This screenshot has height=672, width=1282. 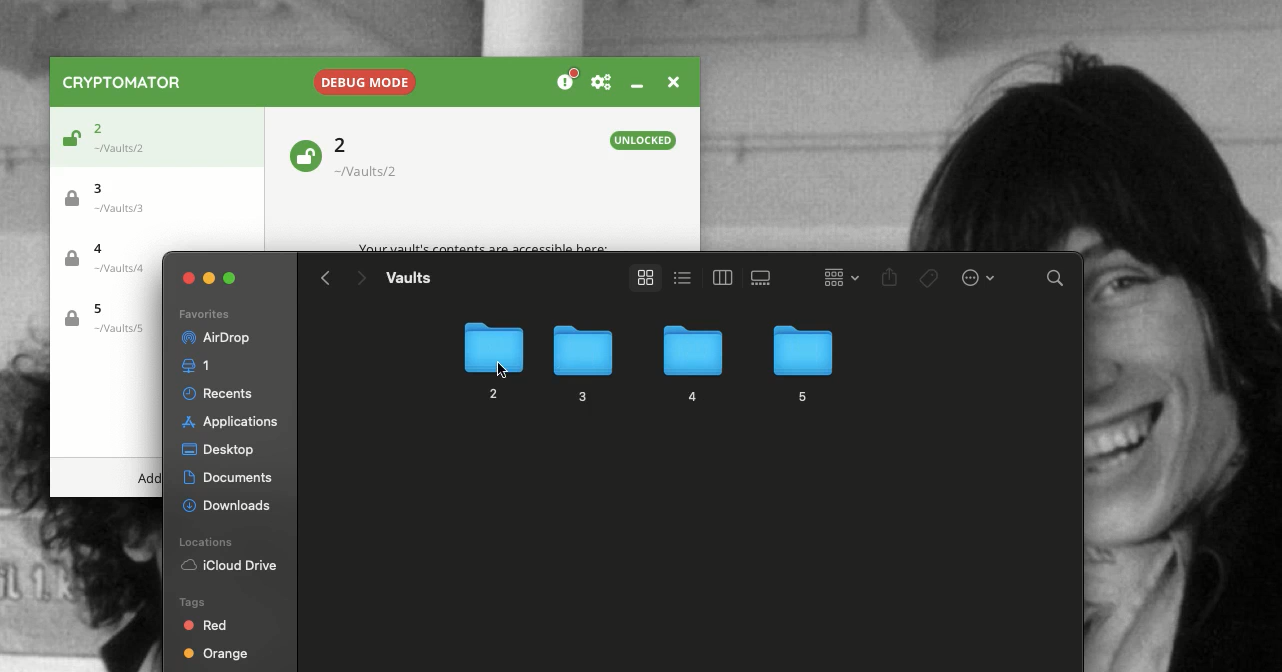 I want to click on Red, so click(x=207, y=625).